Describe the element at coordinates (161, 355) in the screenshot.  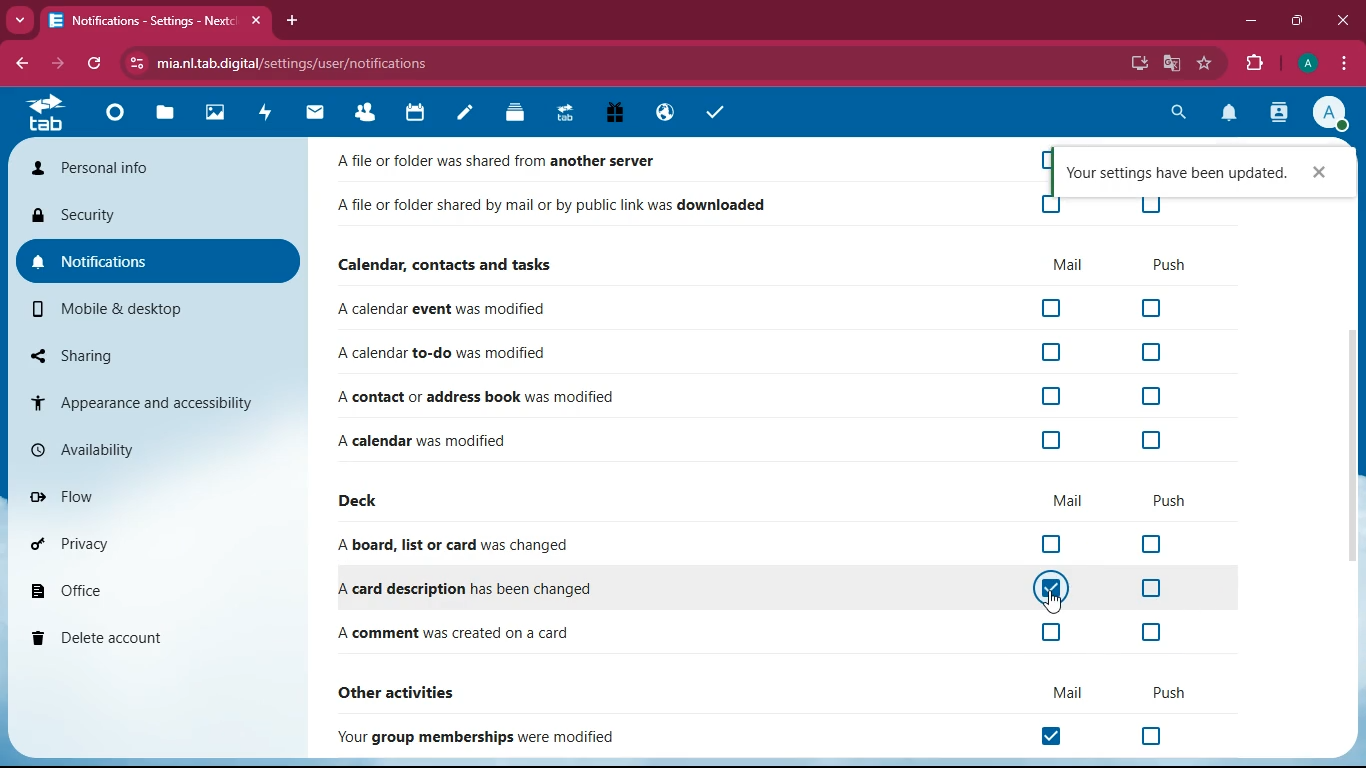
I see `sharing` at that location.